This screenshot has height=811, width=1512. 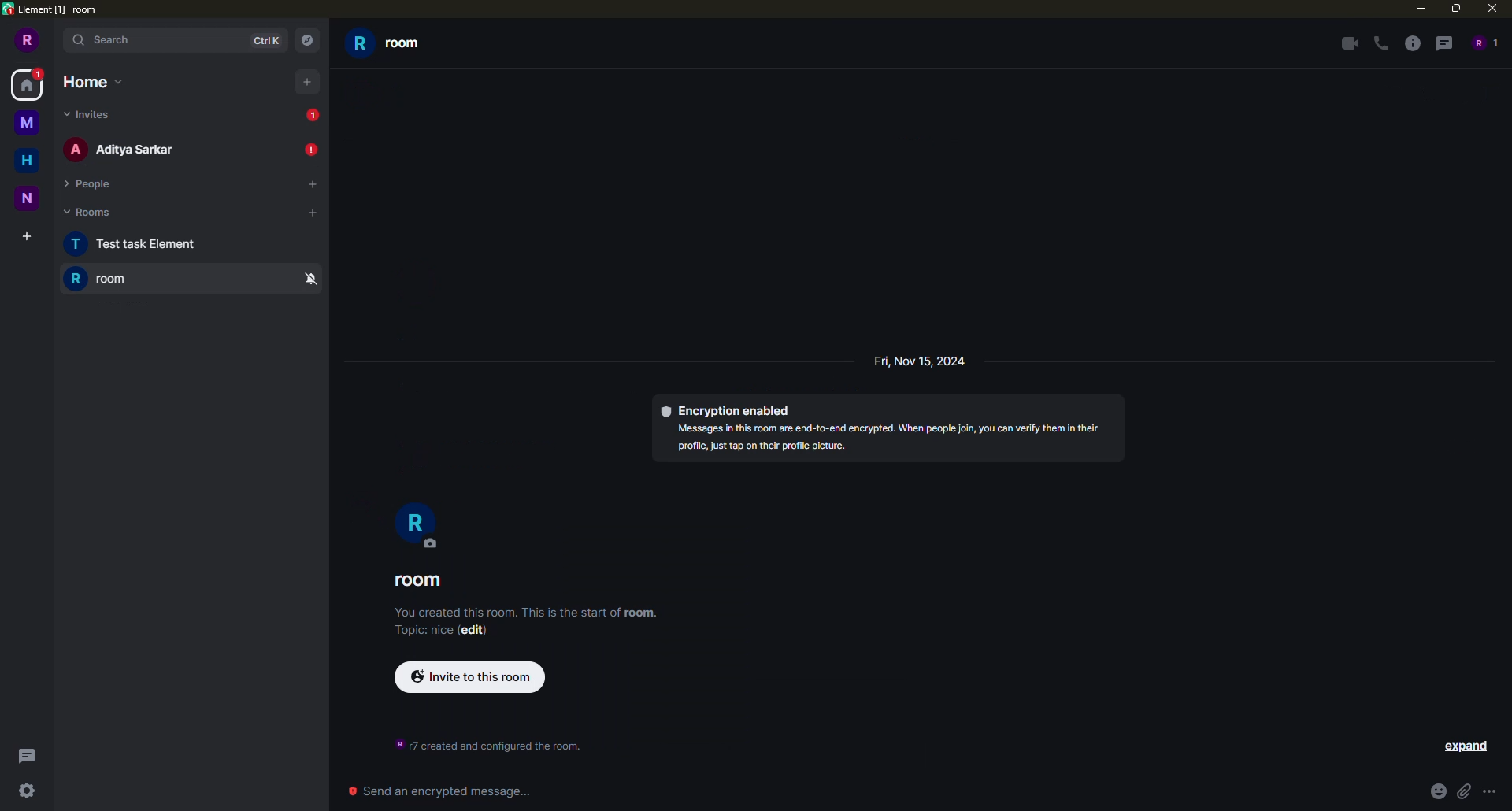 I want to click on element app, so click(x=61, y=11).